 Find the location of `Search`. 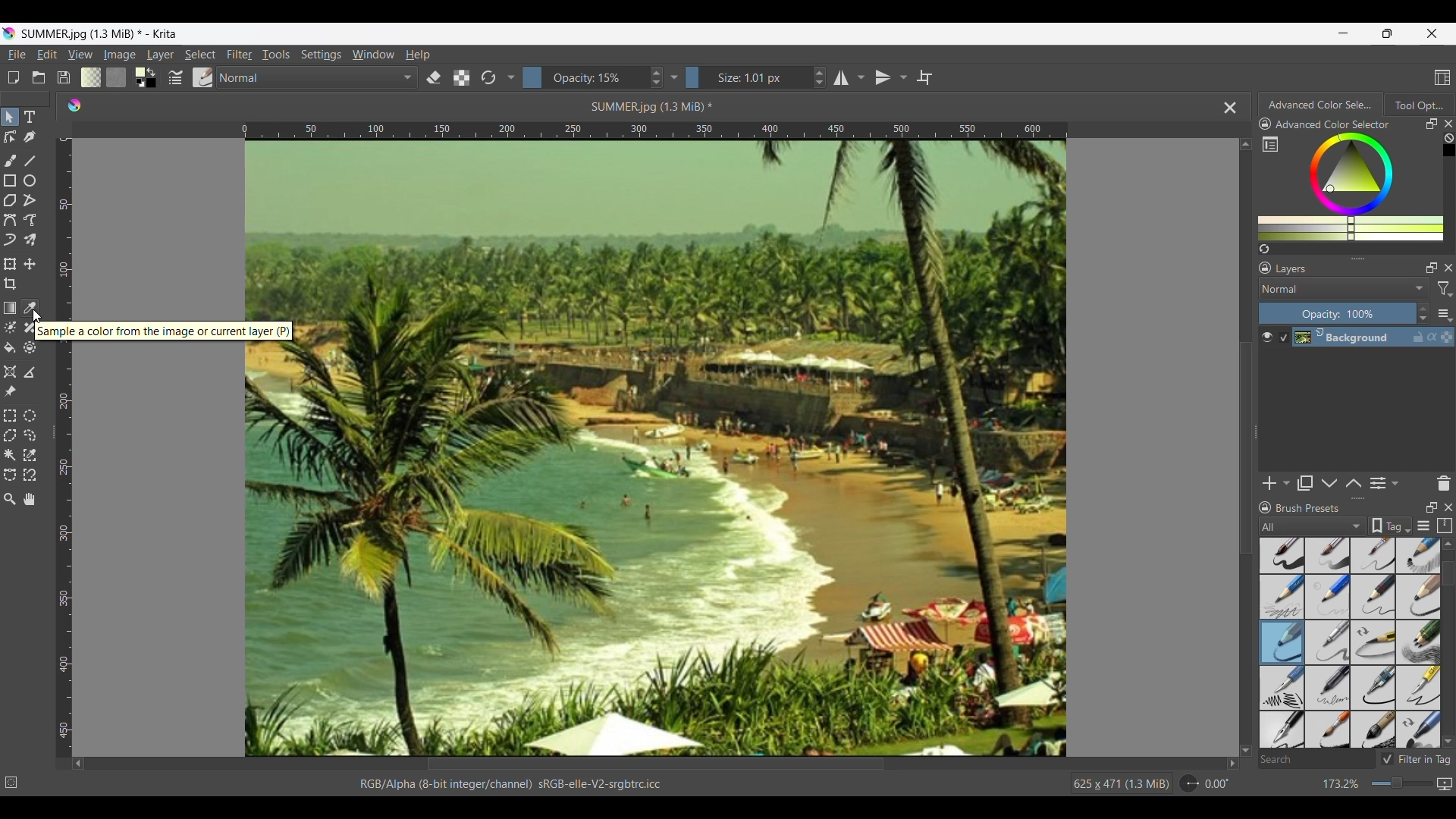

Search is located at coordinates (1316, 761).